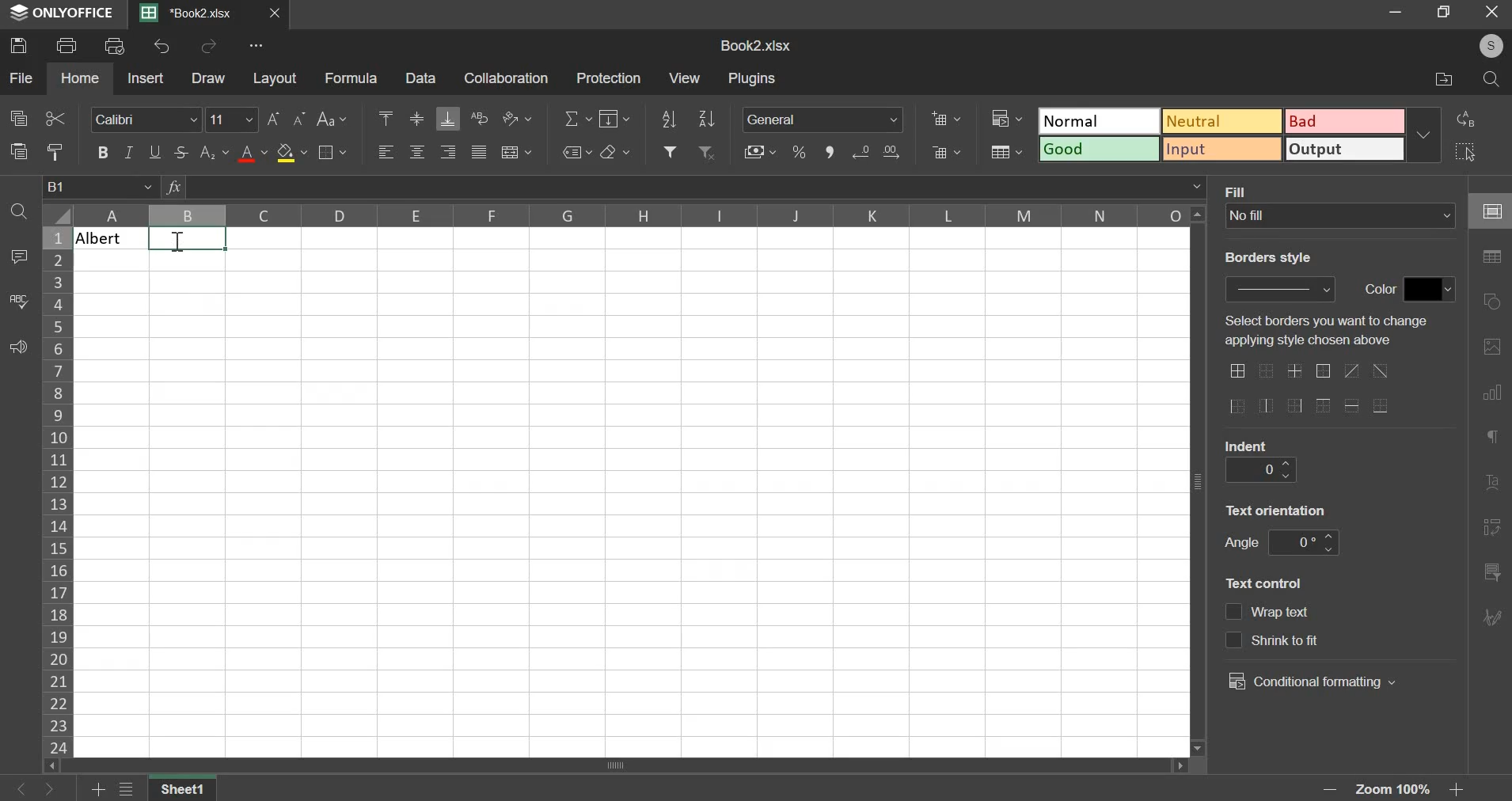 Image resolution: width=1512 pixels, height=801 pixels. Describe the element at coordinates (180, 241) in the screenshot. I see `cursor` at that location.